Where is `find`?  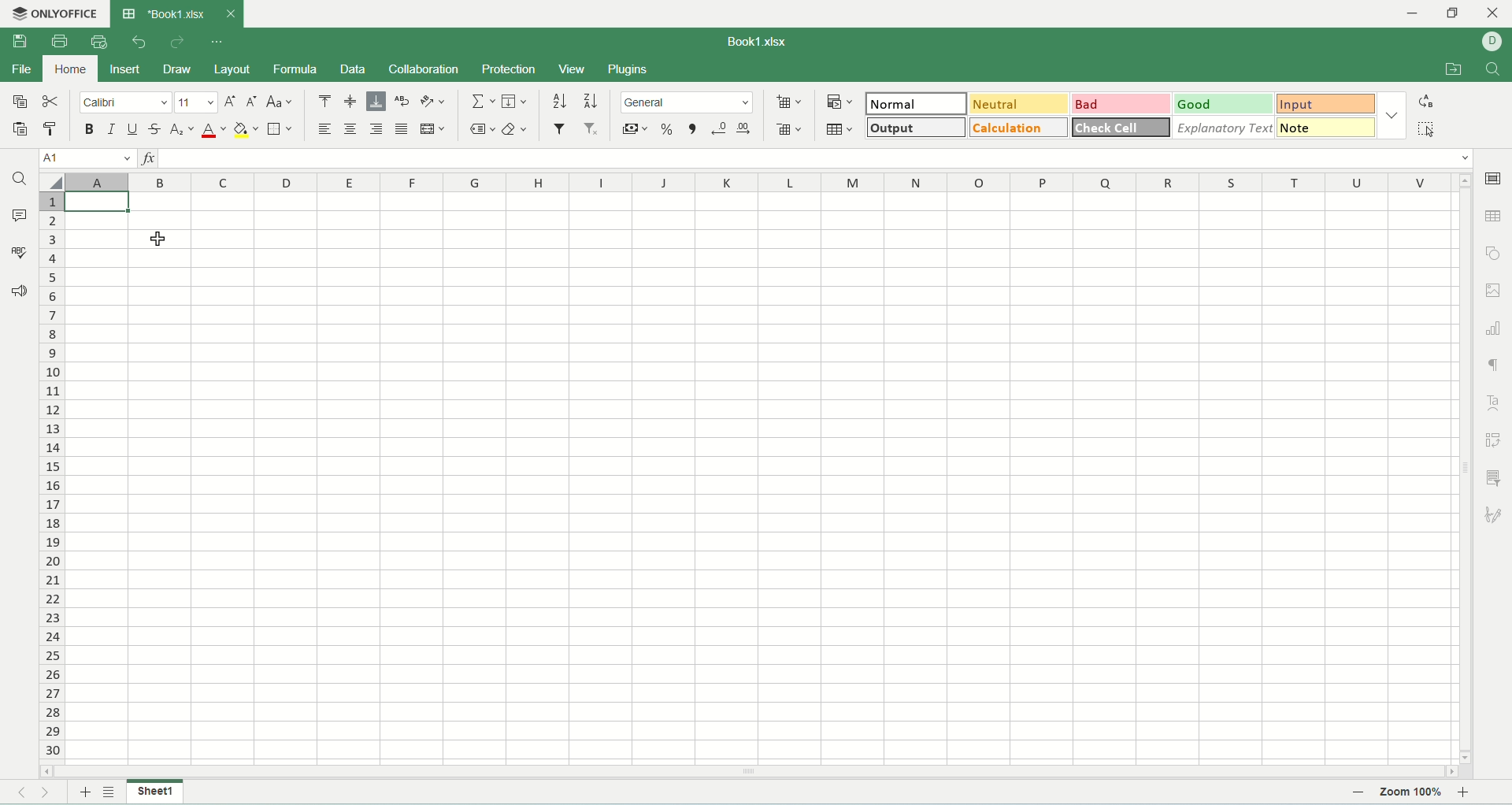 find is located at coordinates (1494, 70).